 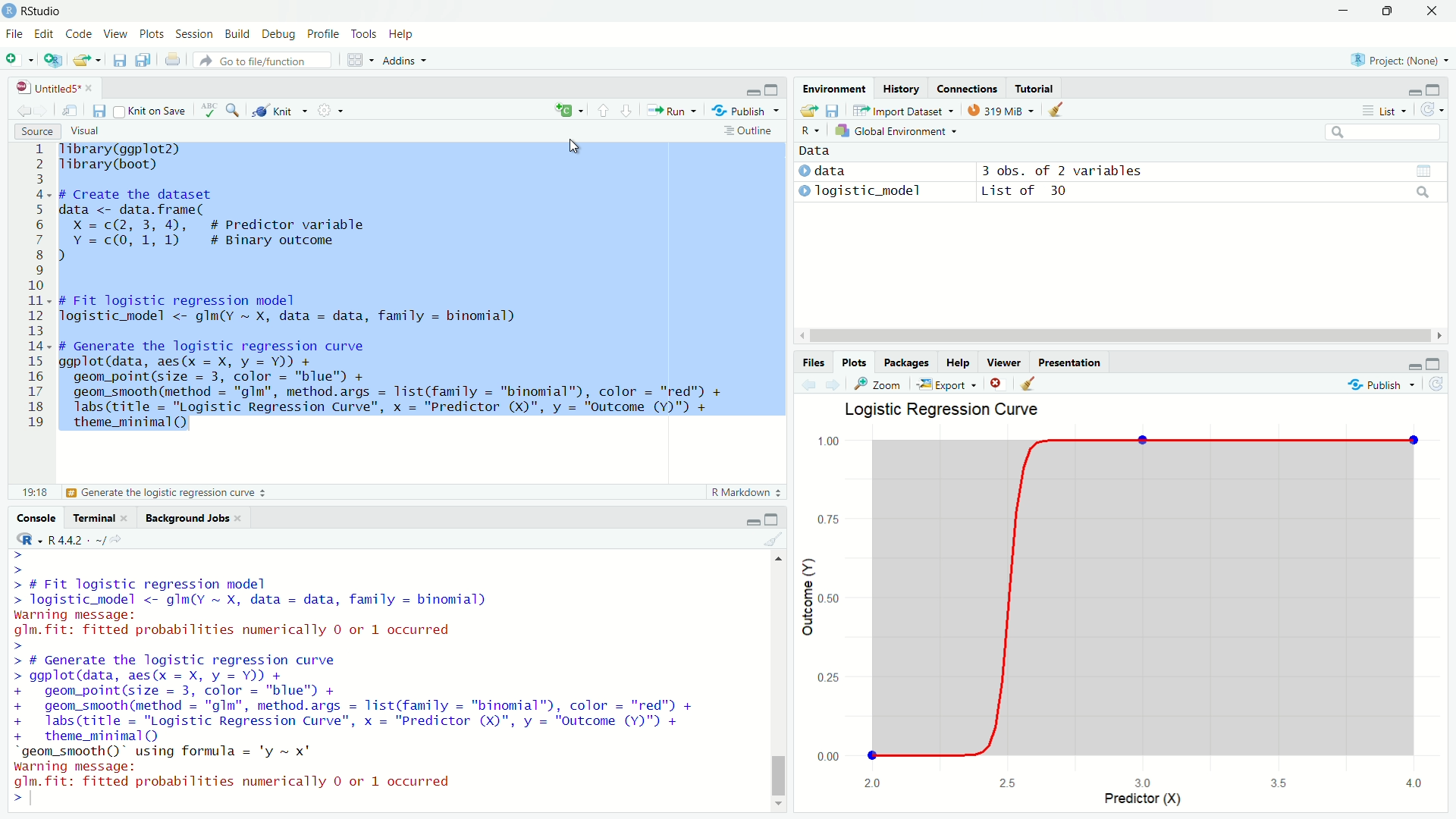 I want to click on Go back to previous source location, so click(x=24, y=111).